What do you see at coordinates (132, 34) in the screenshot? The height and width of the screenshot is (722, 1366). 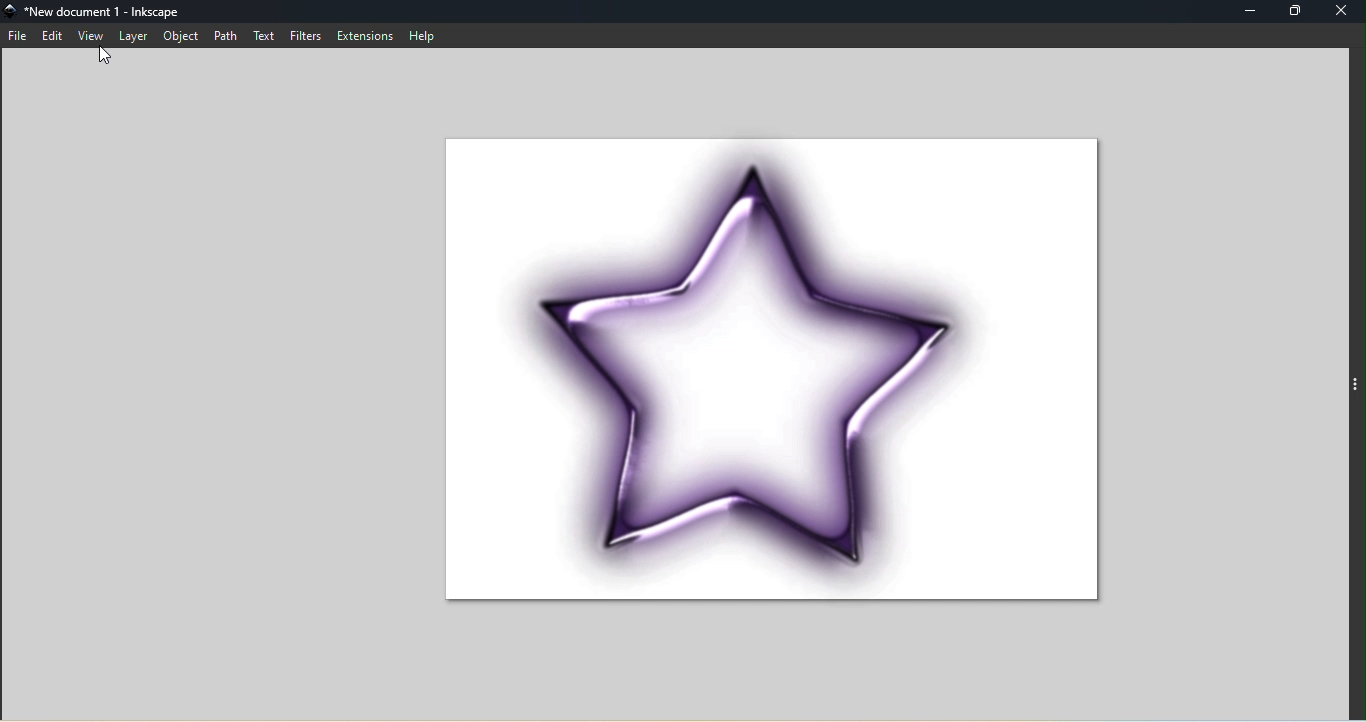 I see `Layer` at bounding box center [132, 34].